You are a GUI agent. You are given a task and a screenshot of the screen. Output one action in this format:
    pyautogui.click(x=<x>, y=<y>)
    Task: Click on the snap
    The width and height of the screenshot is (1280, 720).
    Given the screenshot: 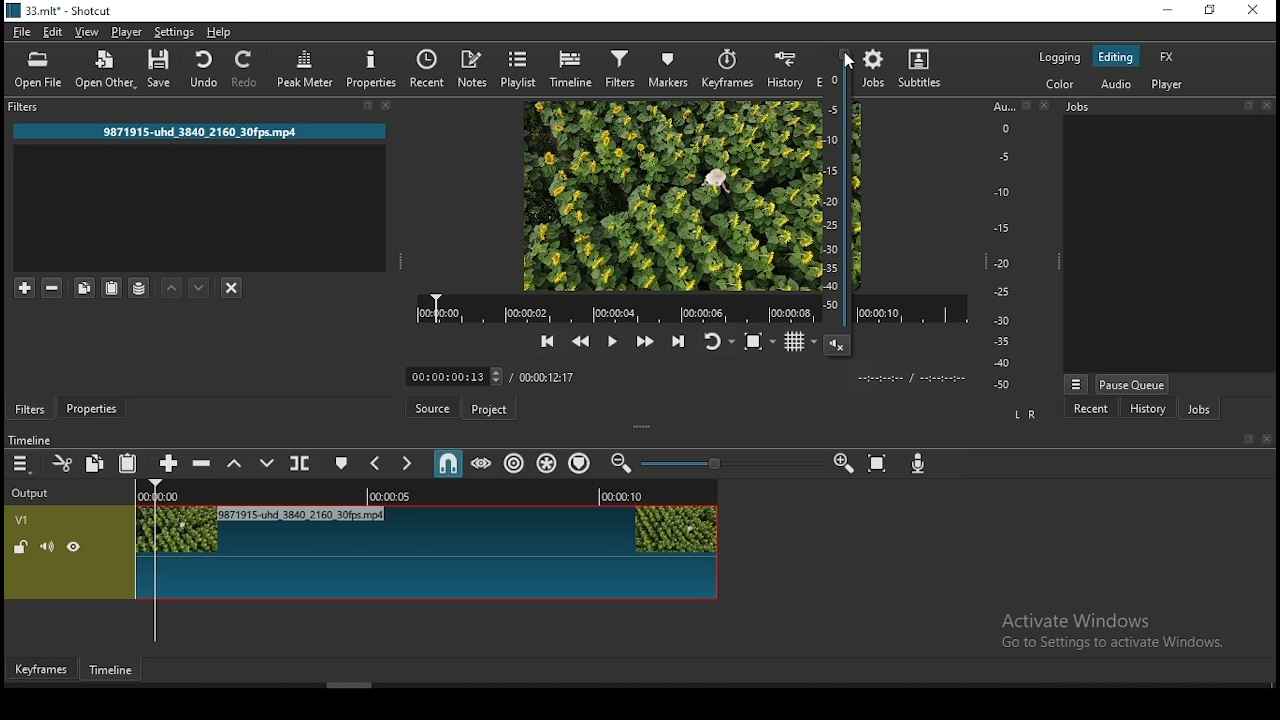 What is the action you would take?
    pyautogui.click(x=448, y=466)
    